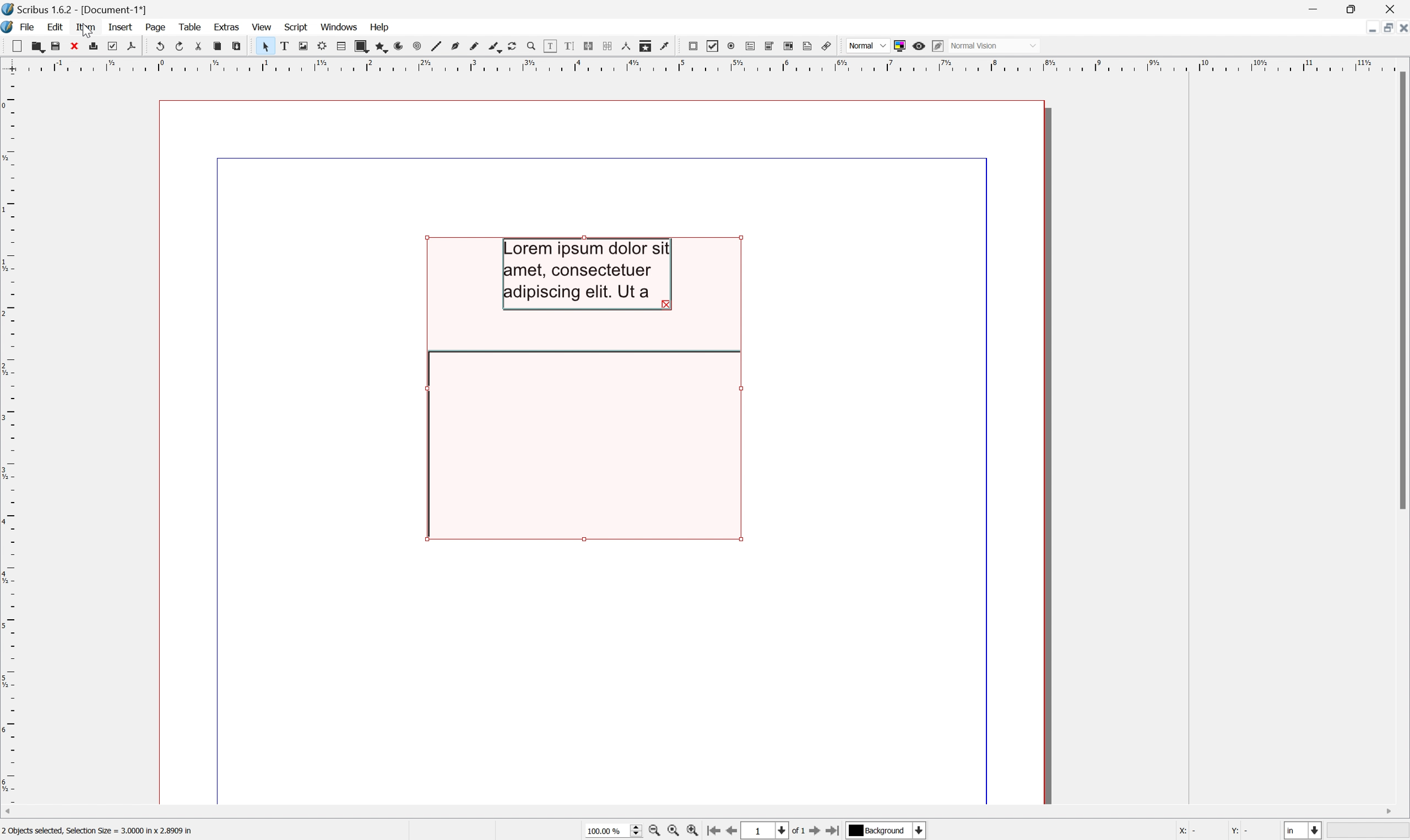 This screenshot has width=1410, height=840. I want to click on Table, so click(191, 28).